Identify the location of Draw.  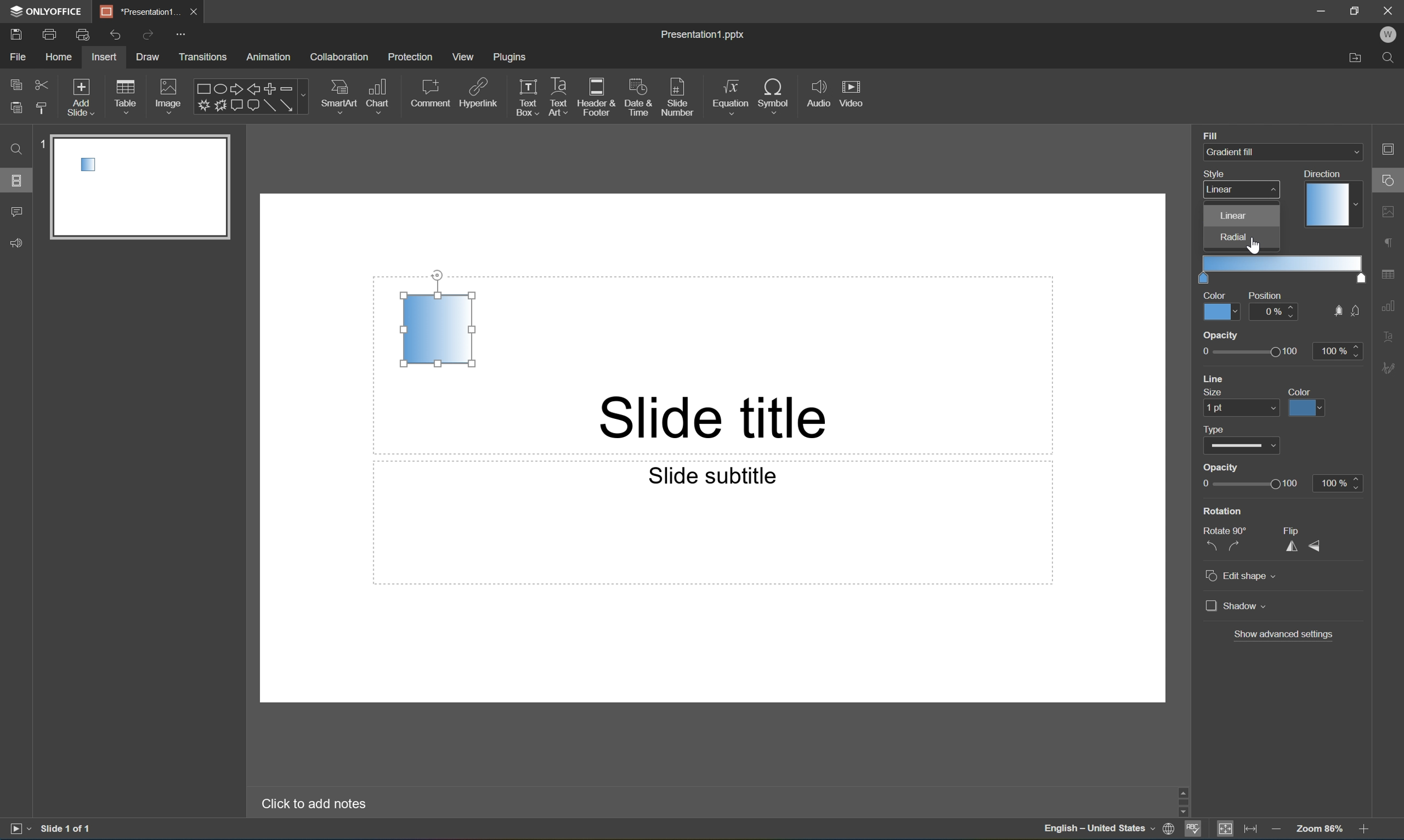
(149, 57).